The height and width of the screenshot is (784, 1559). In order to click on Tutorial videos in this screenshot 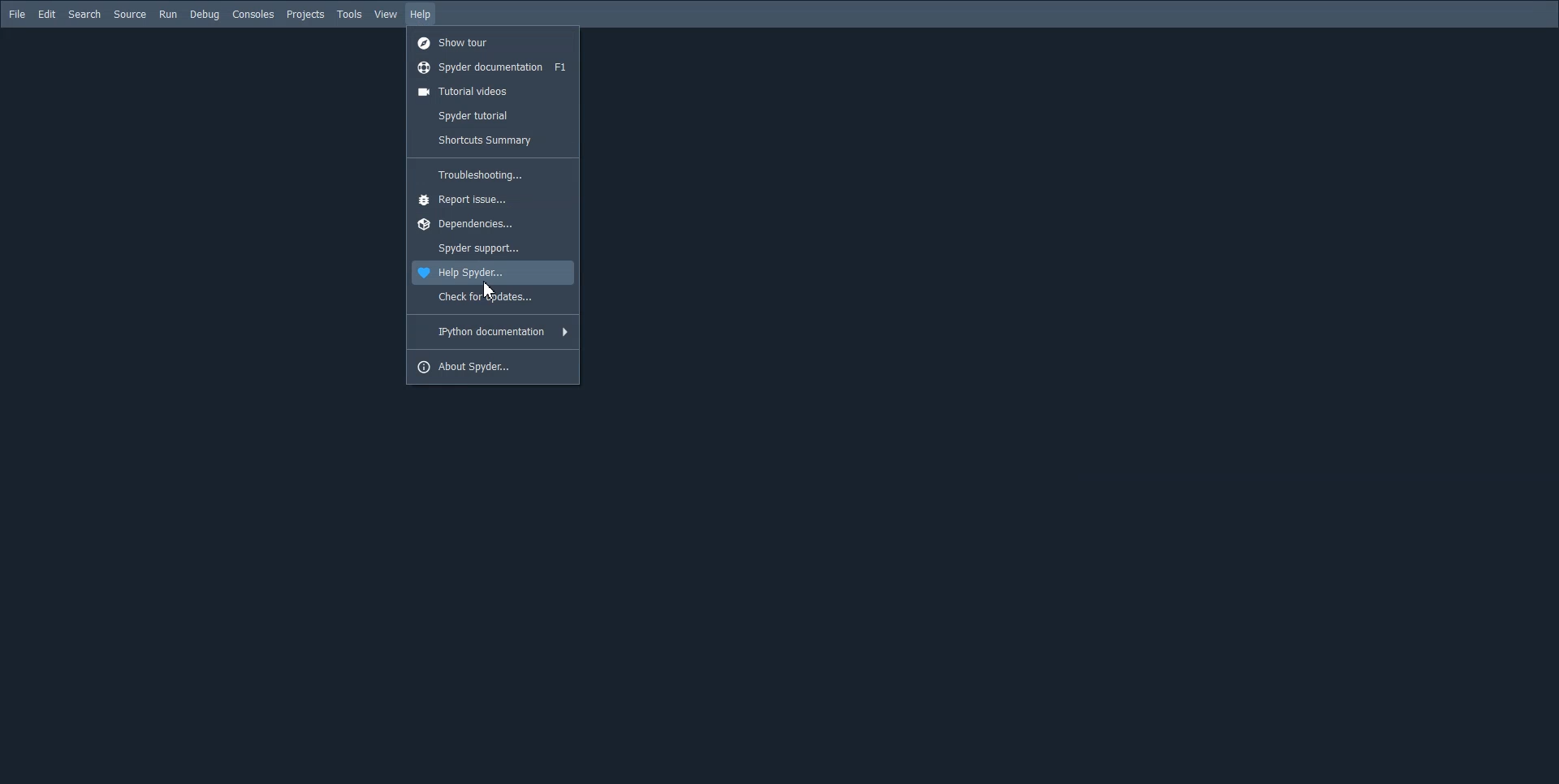, I will do `click(493, 92)`.